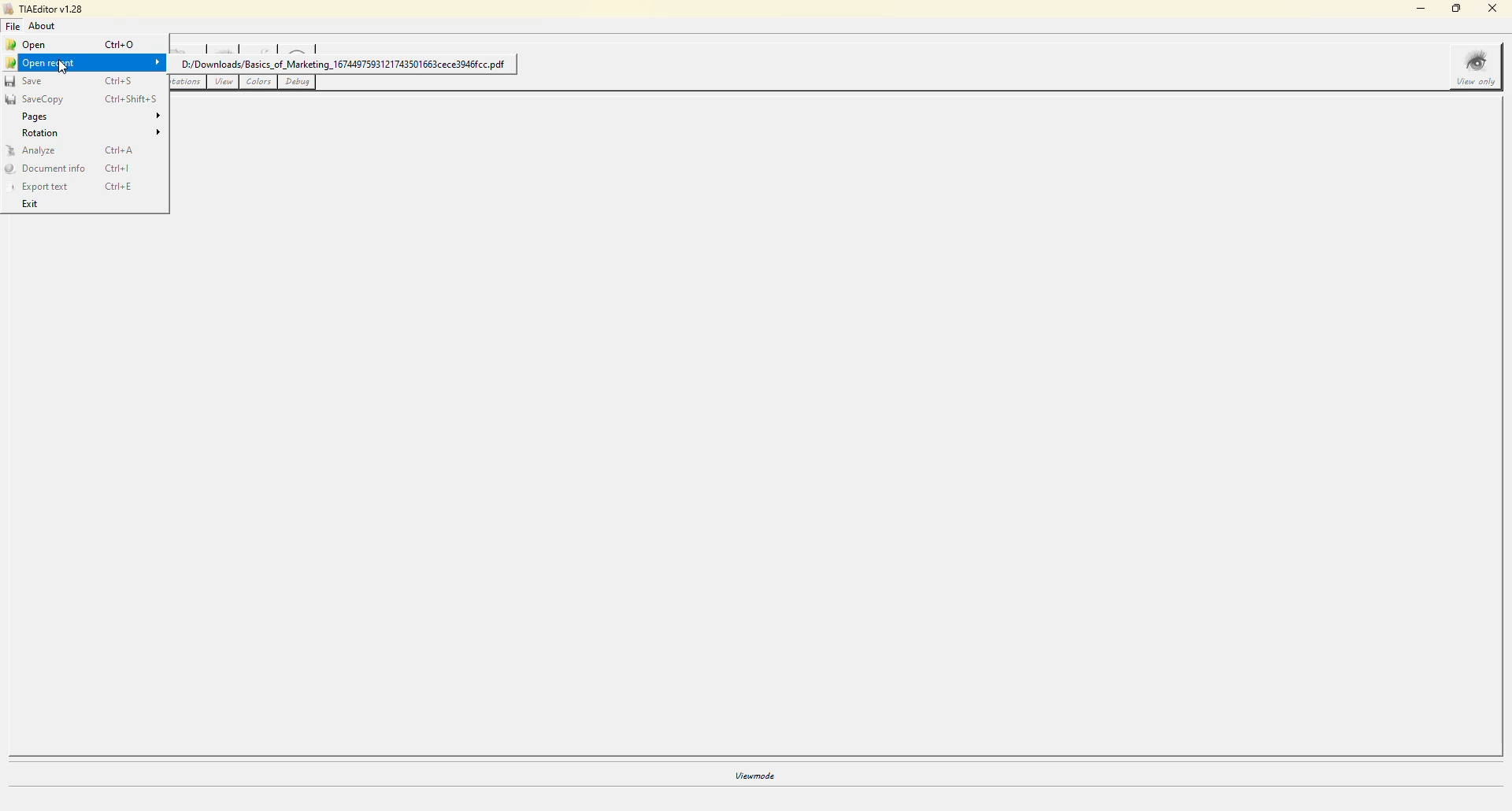 The width and height of the screenshot is (1512, 811). Describe the element at coordinates (124, 186) in the screenshot. I see `ctrl+e` at that location.